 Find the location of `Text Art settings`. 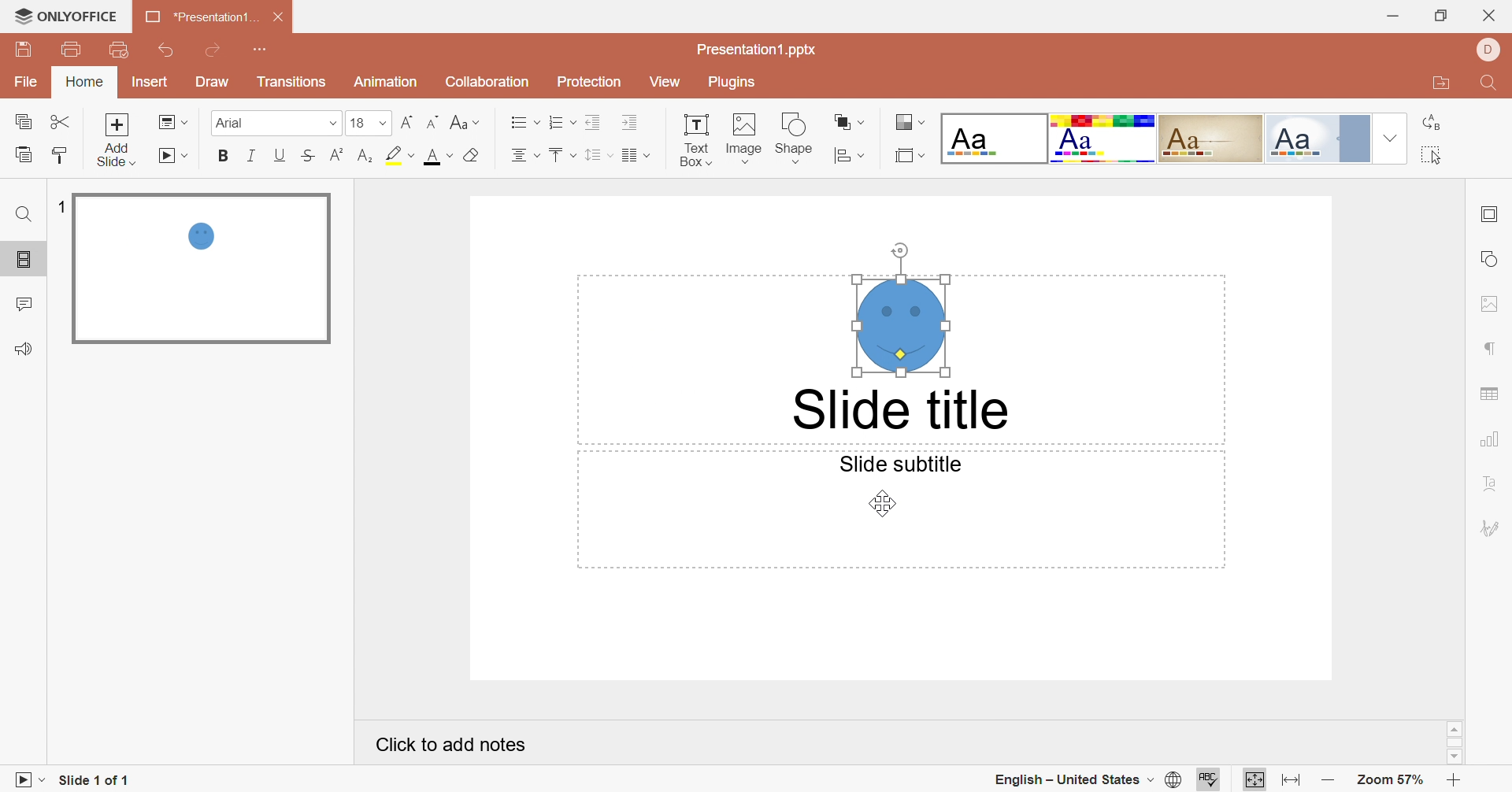

Text Art settings is located at coordinates (1491, 483).